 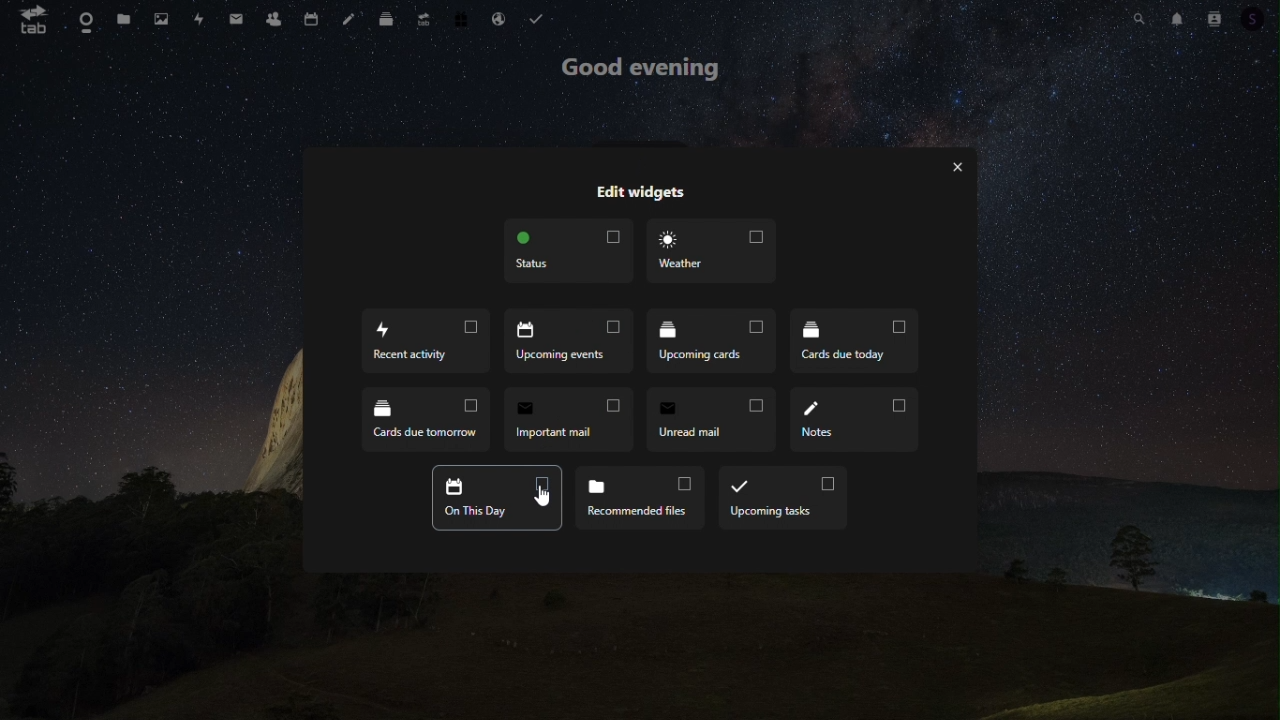 What do you see at coordinates (424, 18) in the screenshot?
I see `upgrade` at bounding box center [424, 18].